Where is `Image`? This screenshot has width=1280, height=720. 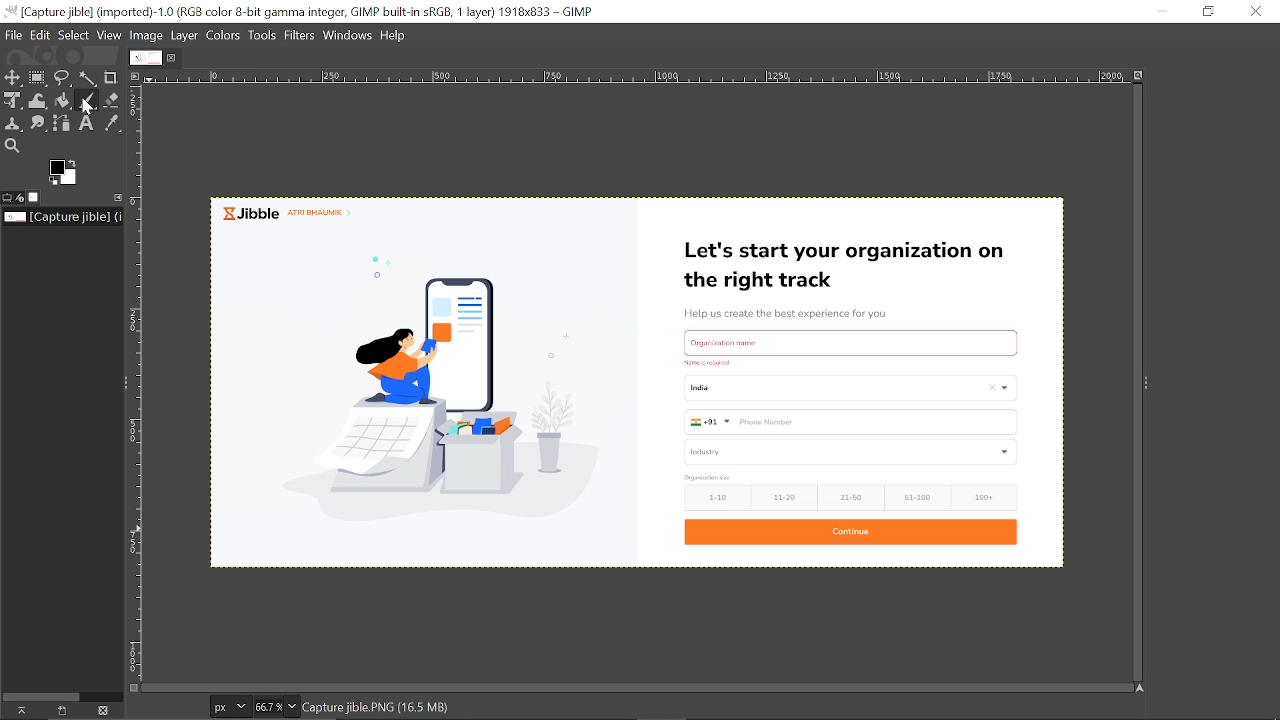 Image is located at coordinates (147, 37).